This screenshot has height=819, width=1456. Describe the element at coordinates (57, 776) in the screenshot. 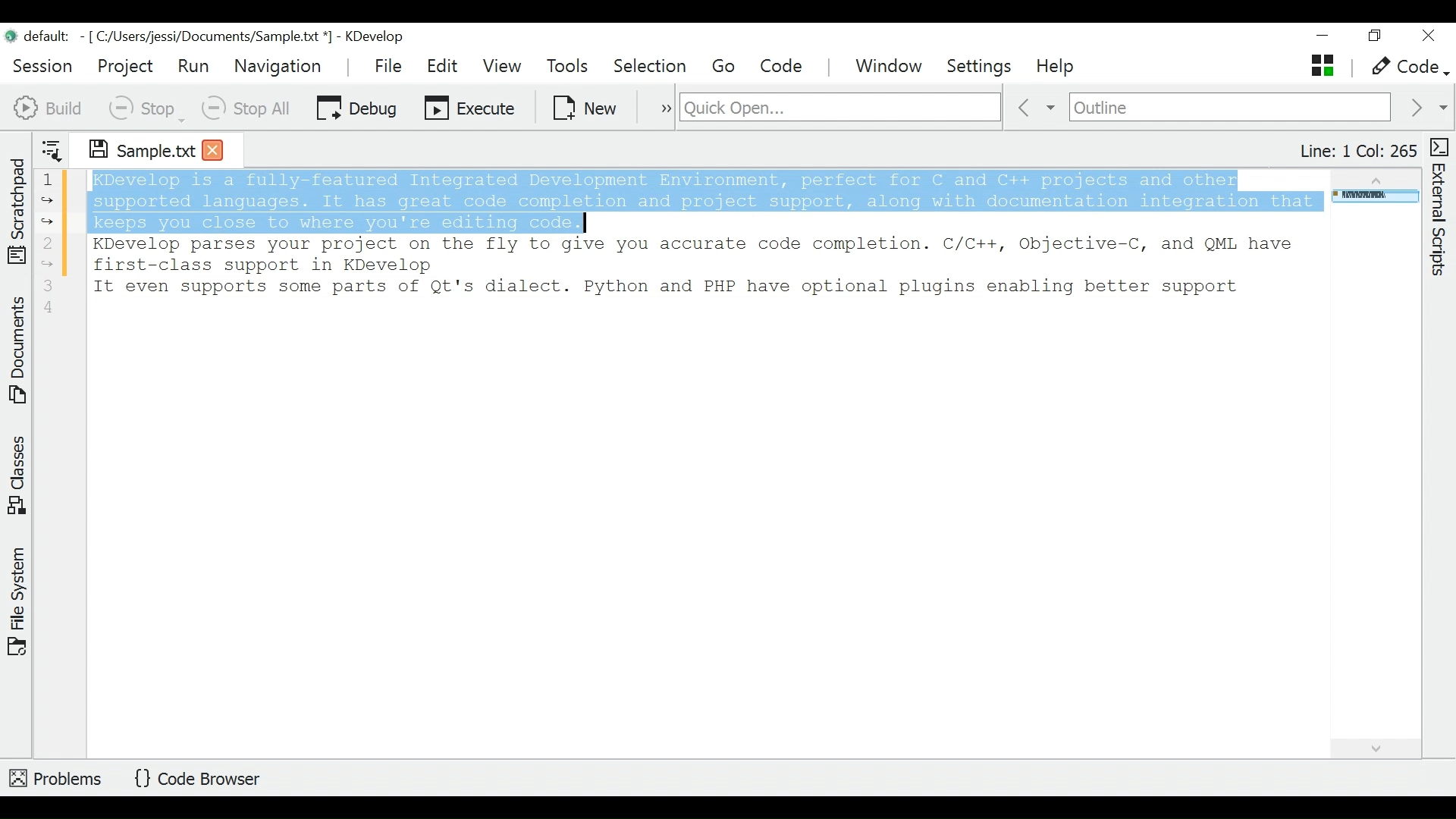

I see `Problems` at that location.